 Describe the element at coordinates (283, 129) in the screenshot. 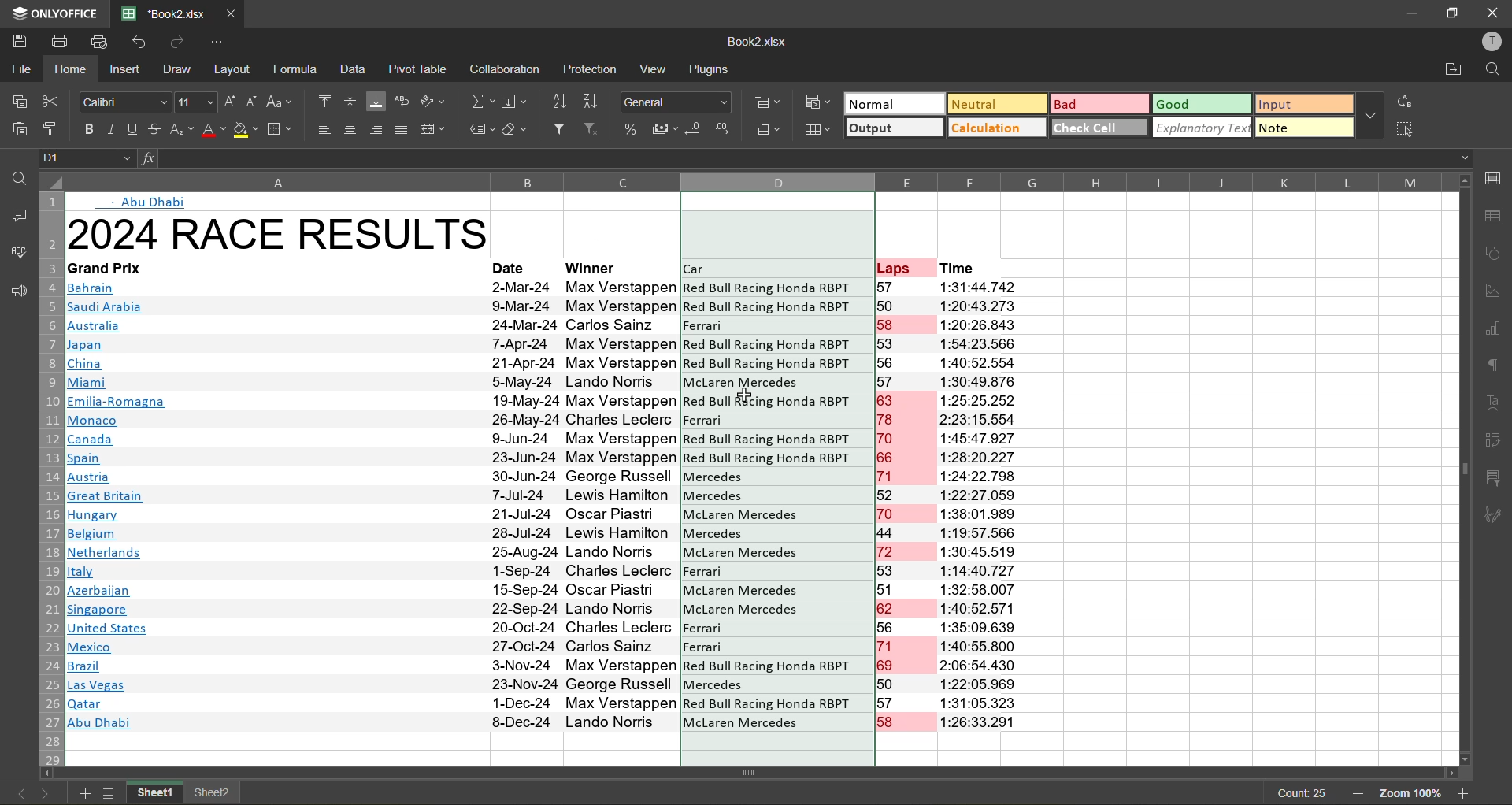

I see `borders` at that location.